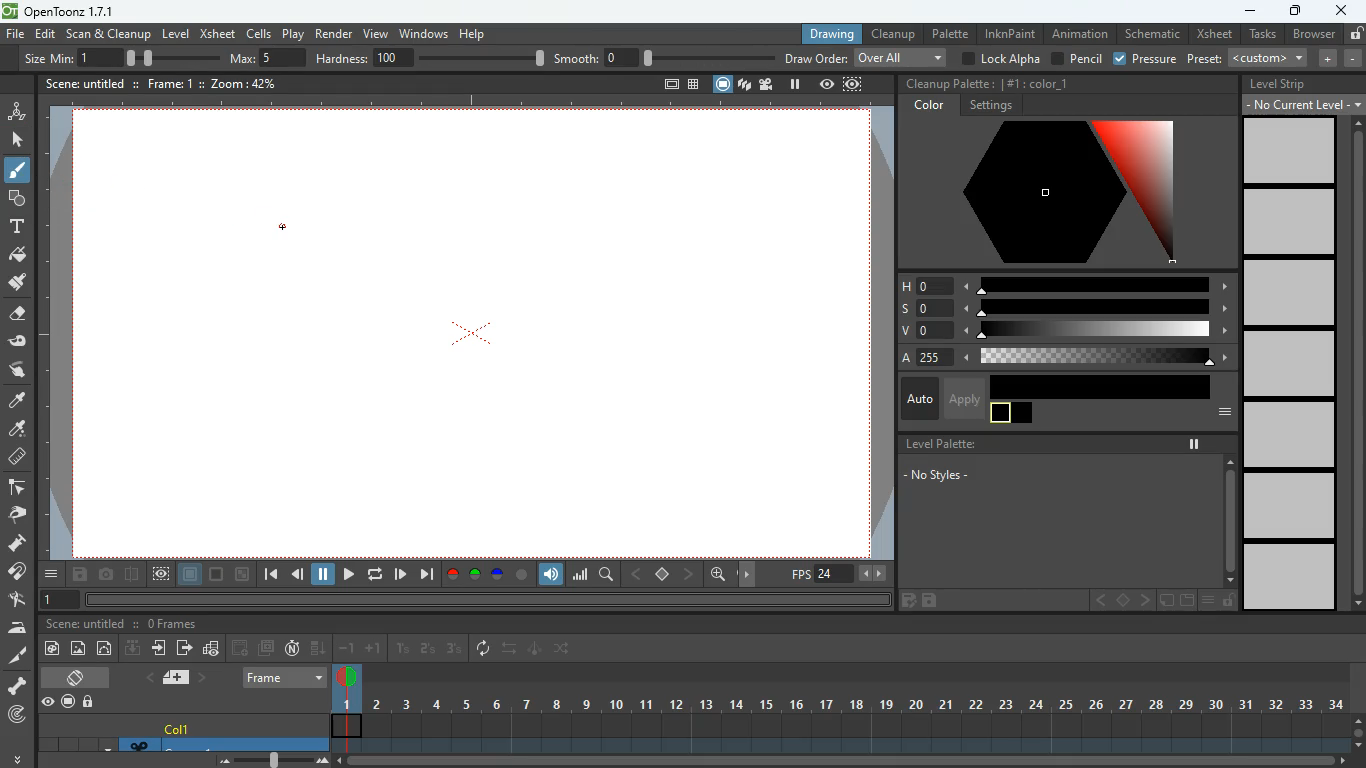 The image size is (1366, 768). What do you see at coordinates (15, 35) in the screenshot?
I see `file` at bounding box center [15, 35].